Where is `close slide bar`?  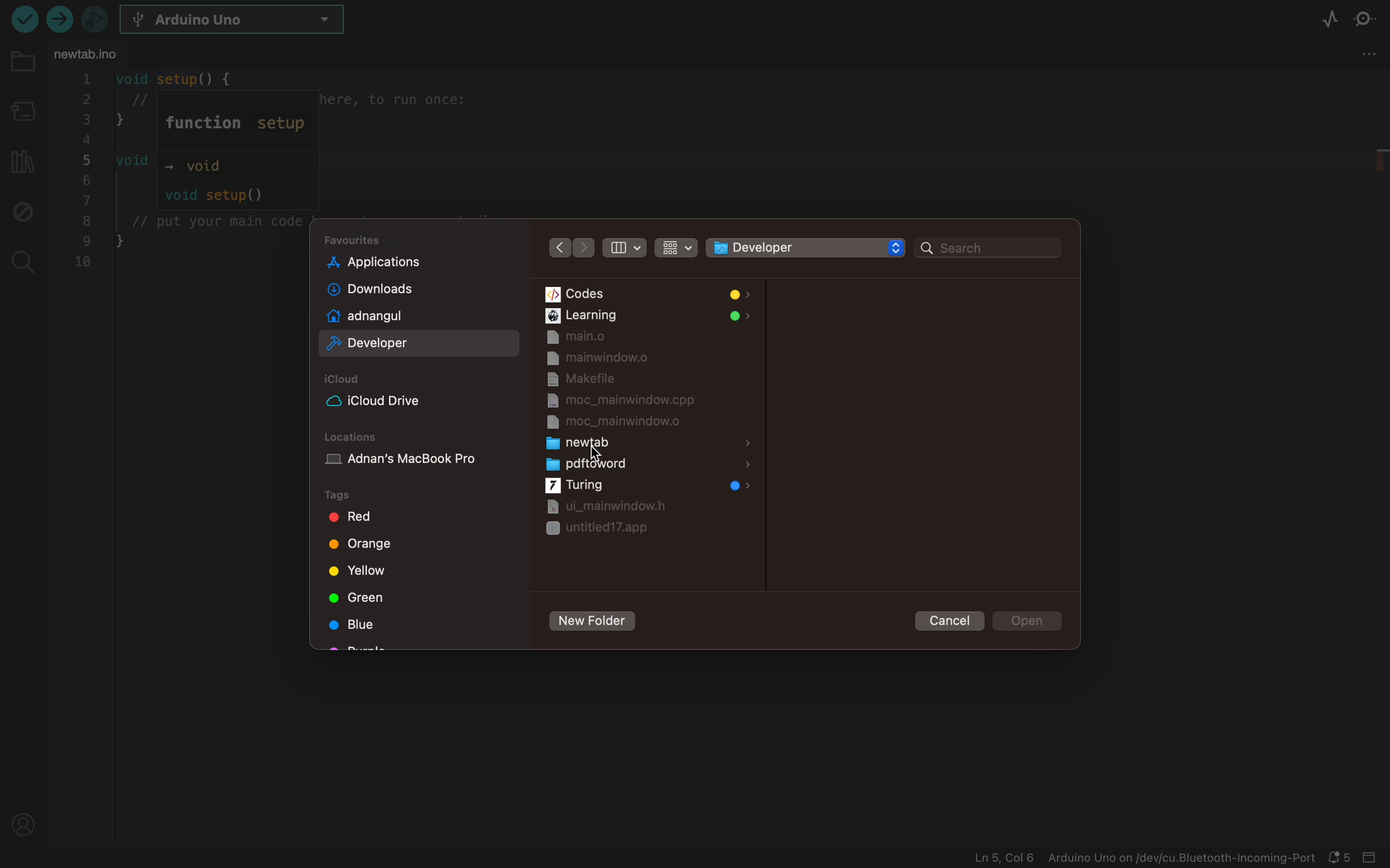 close slide bar is located at coordinates (1373, 858).